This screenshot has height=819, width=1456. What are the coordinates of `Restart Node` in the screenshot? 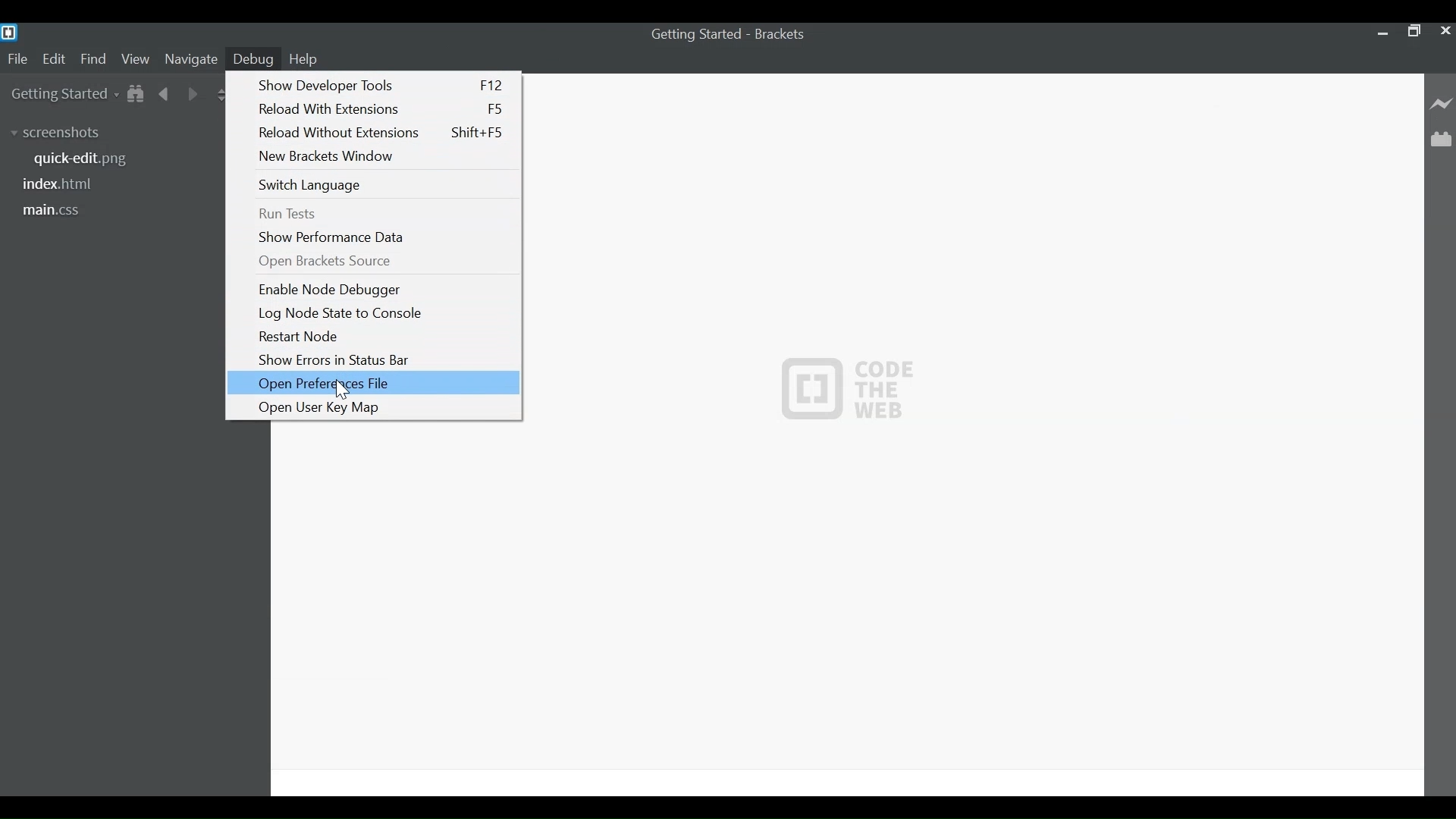 It's located at (381, 337).